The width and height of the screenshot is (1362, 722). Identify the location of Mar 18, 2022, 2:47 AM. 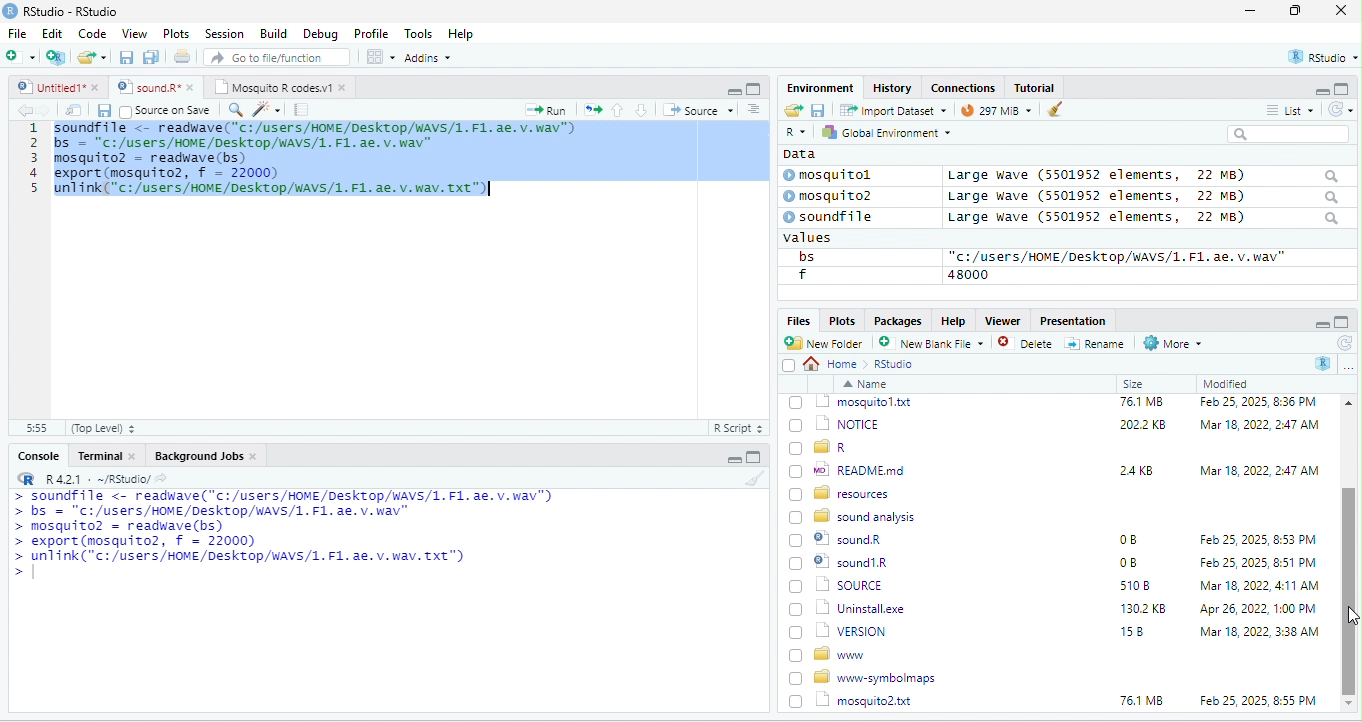
(1259, 588).